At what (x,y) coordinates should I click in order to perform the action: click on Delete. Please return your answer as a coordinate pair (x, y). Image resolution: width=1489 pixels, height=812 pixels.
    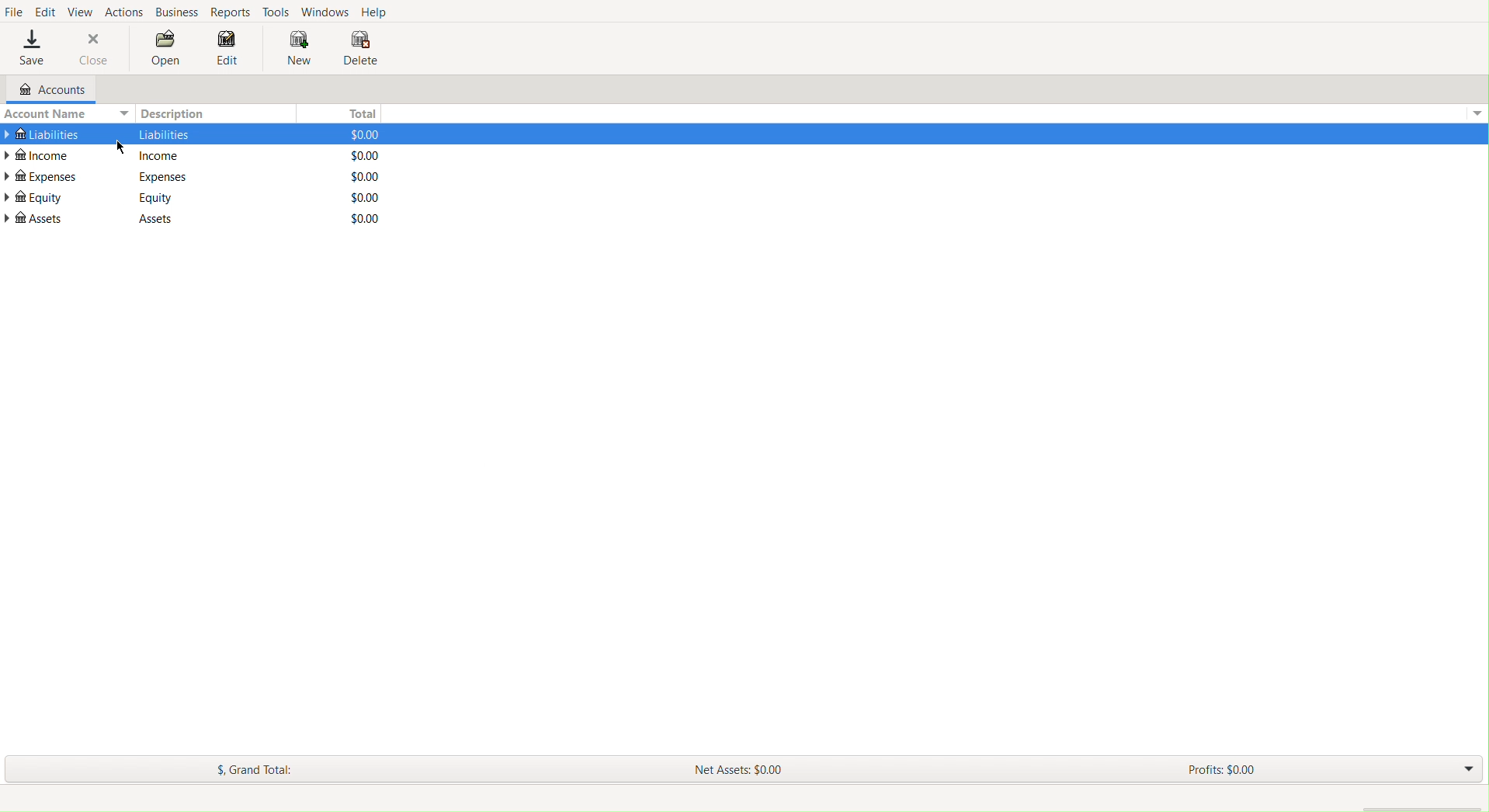
    Looking at the image, I should click on (360, 50).